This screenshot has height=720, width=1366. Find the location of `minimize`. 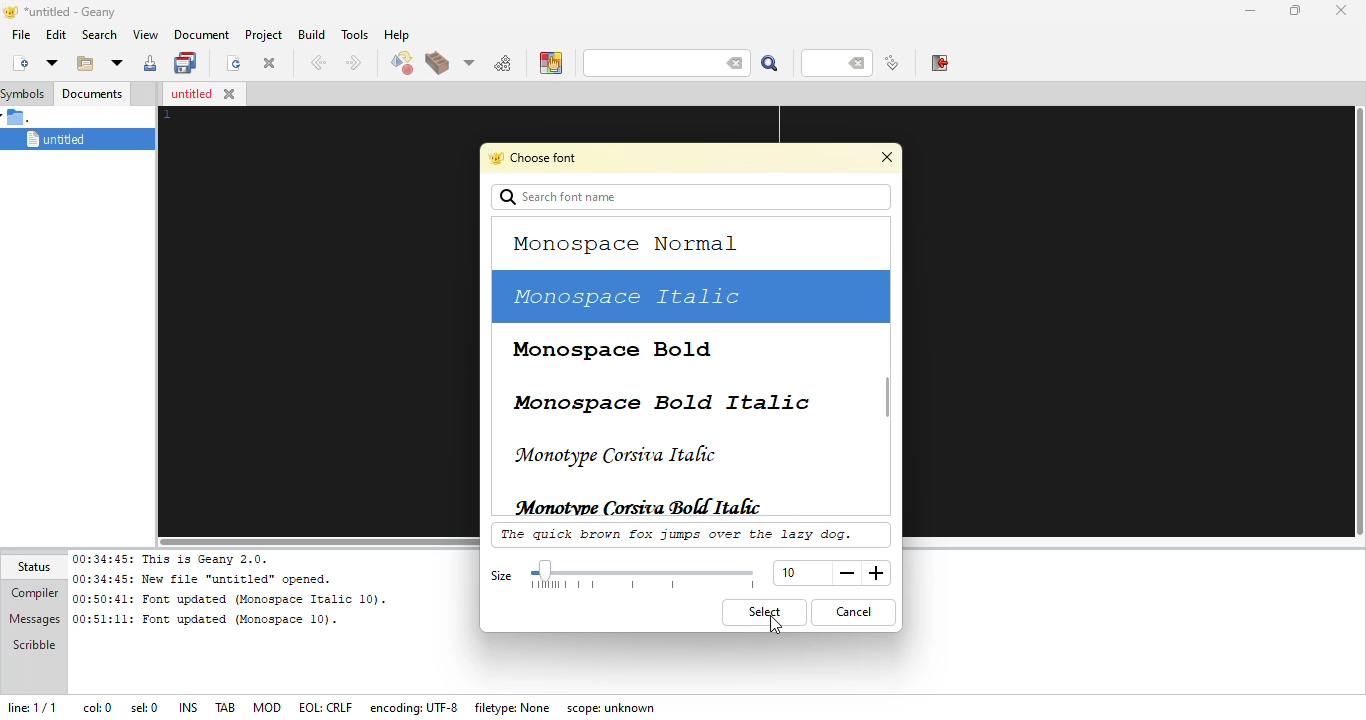

minimize is located at coordinates (1247, 10).